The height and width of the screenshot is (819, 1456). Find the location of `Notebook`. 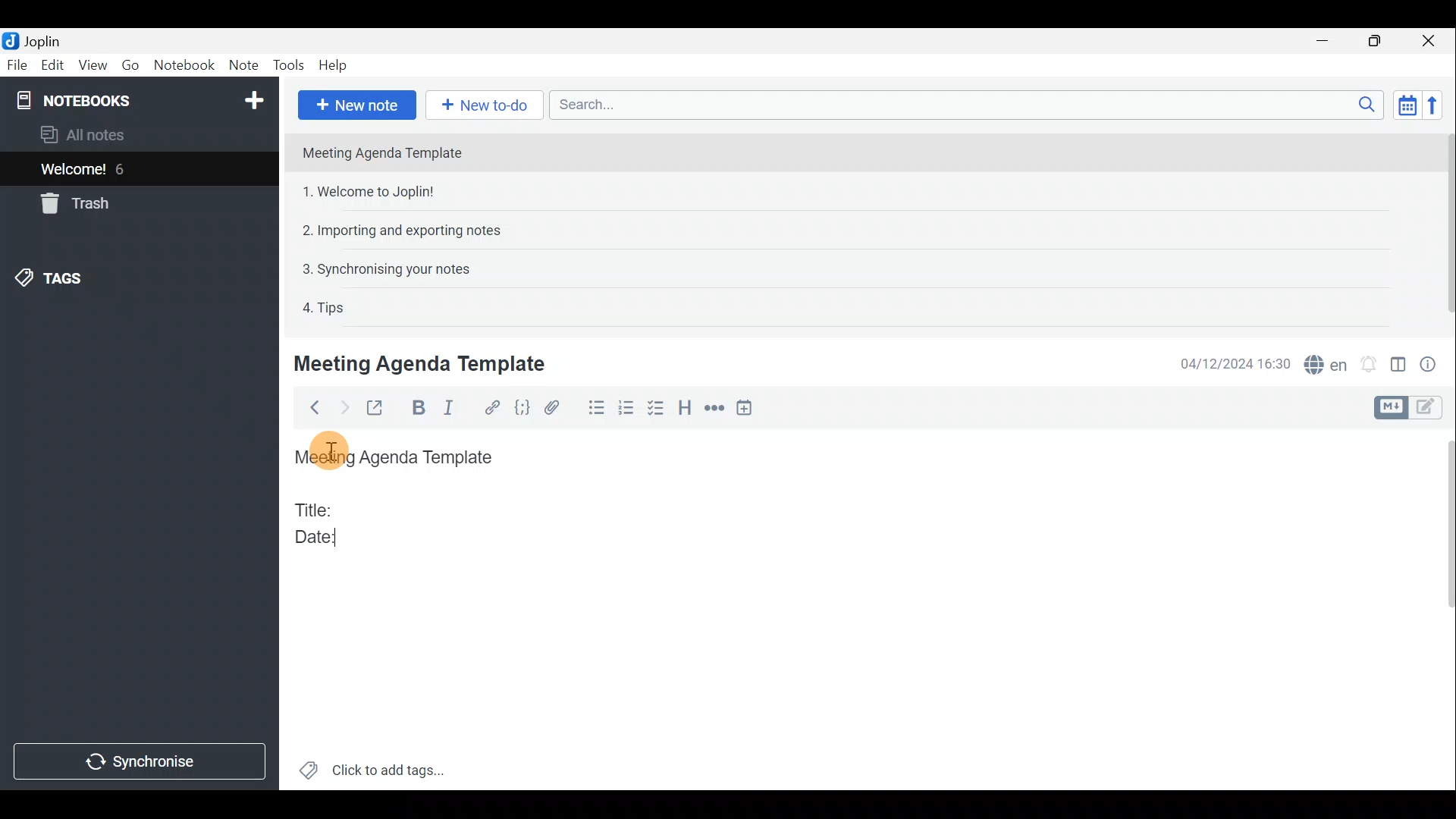

Notebook is located at coordinates (185, 65).